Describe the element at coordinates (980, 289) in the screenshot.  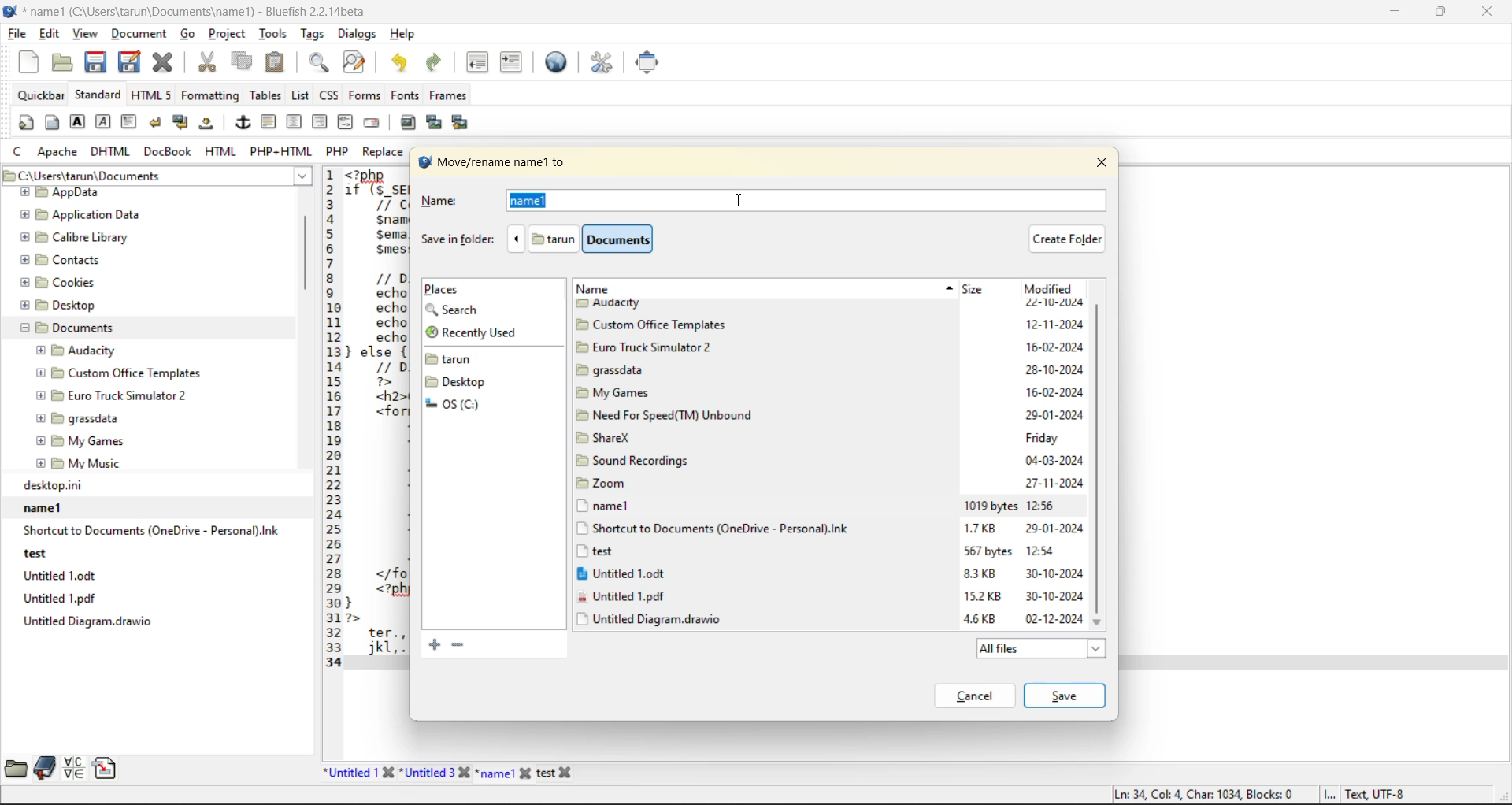
I see `size` at that location.